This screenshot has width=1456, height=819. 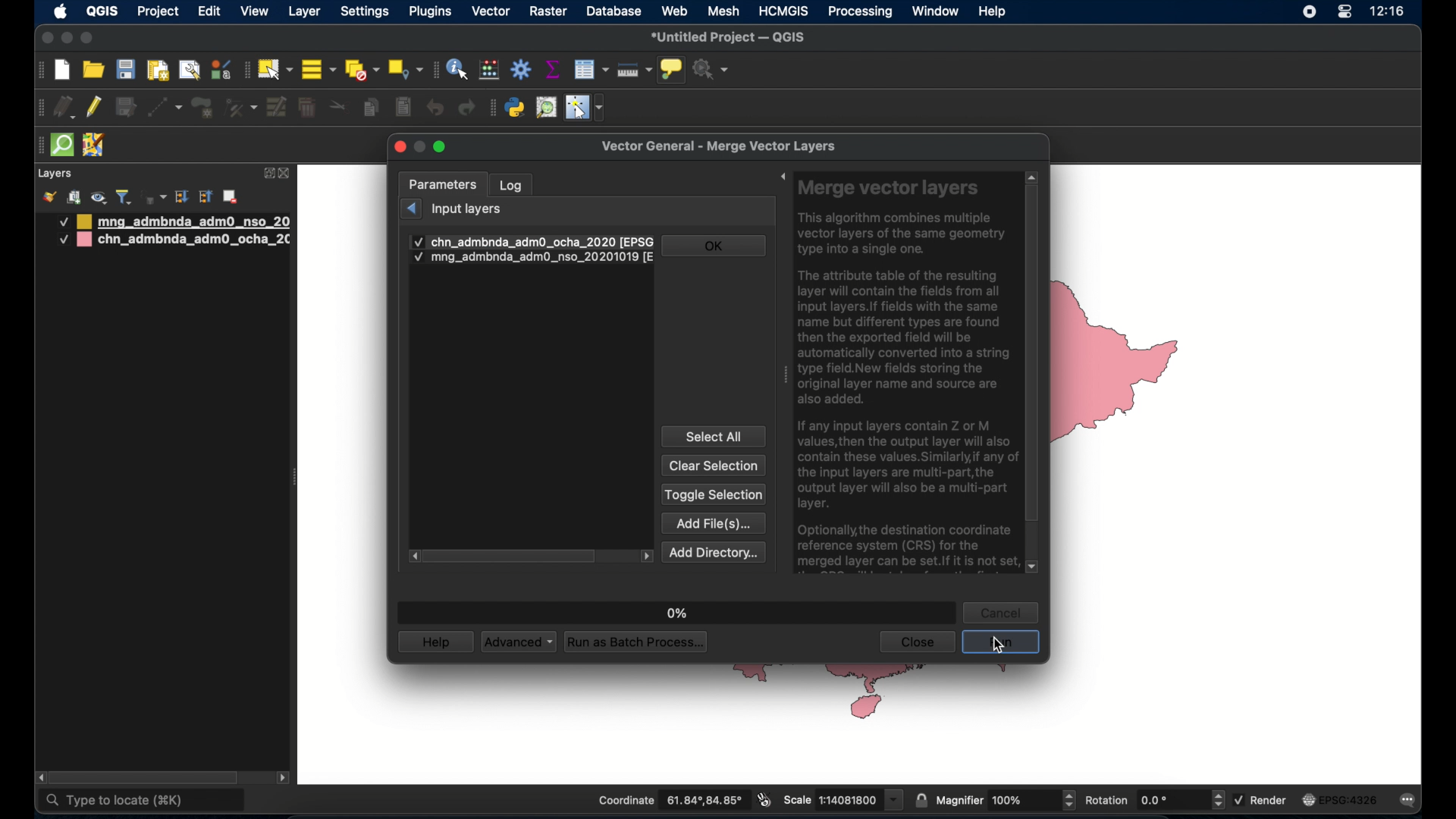 I want to click on screen recorder icon, so click(x=1307, y=12).